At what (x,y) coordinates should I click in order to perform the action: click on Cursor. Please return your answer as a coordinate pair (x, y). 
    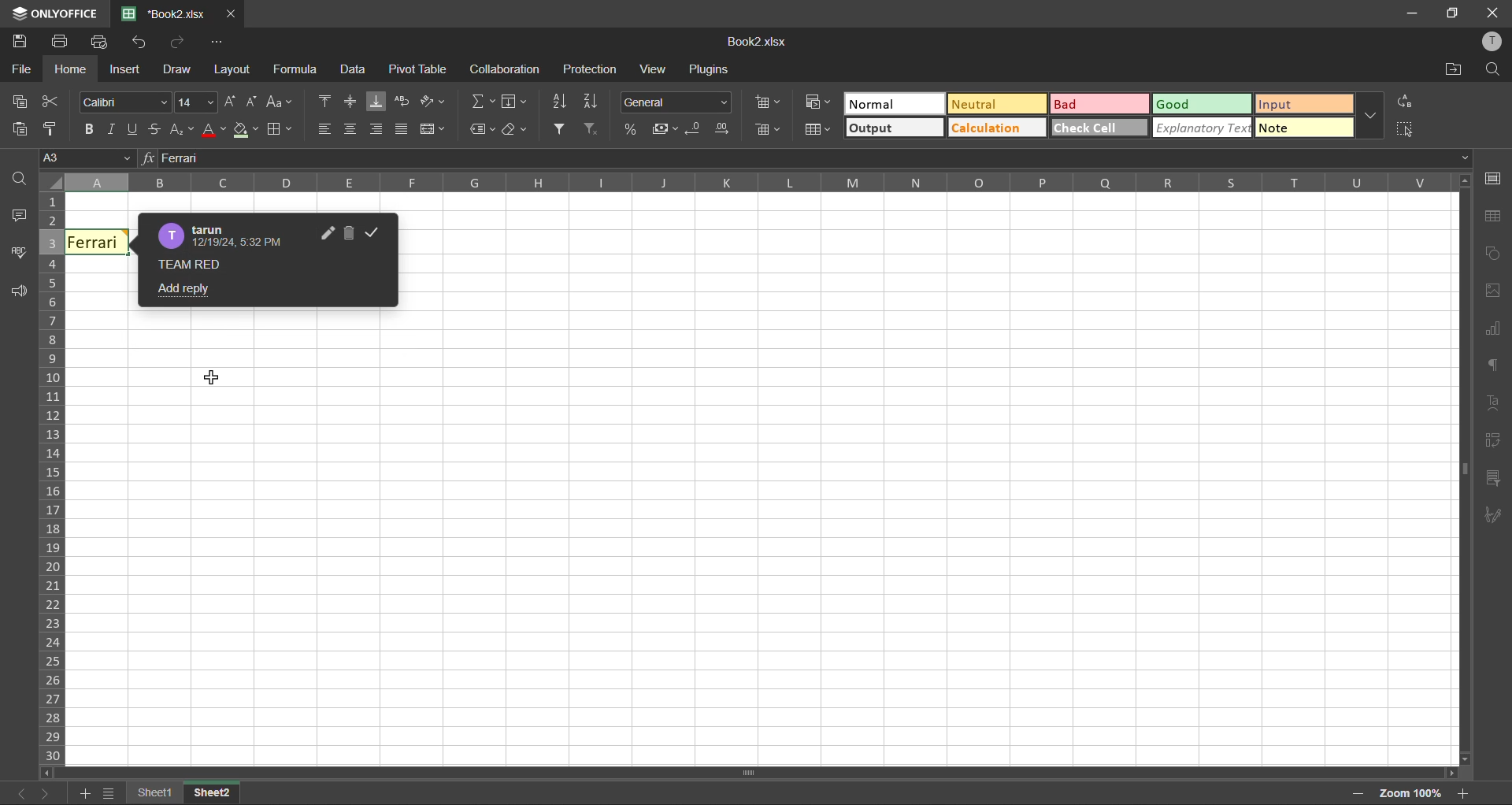
    Looking at the image, I should click on (218, 380).